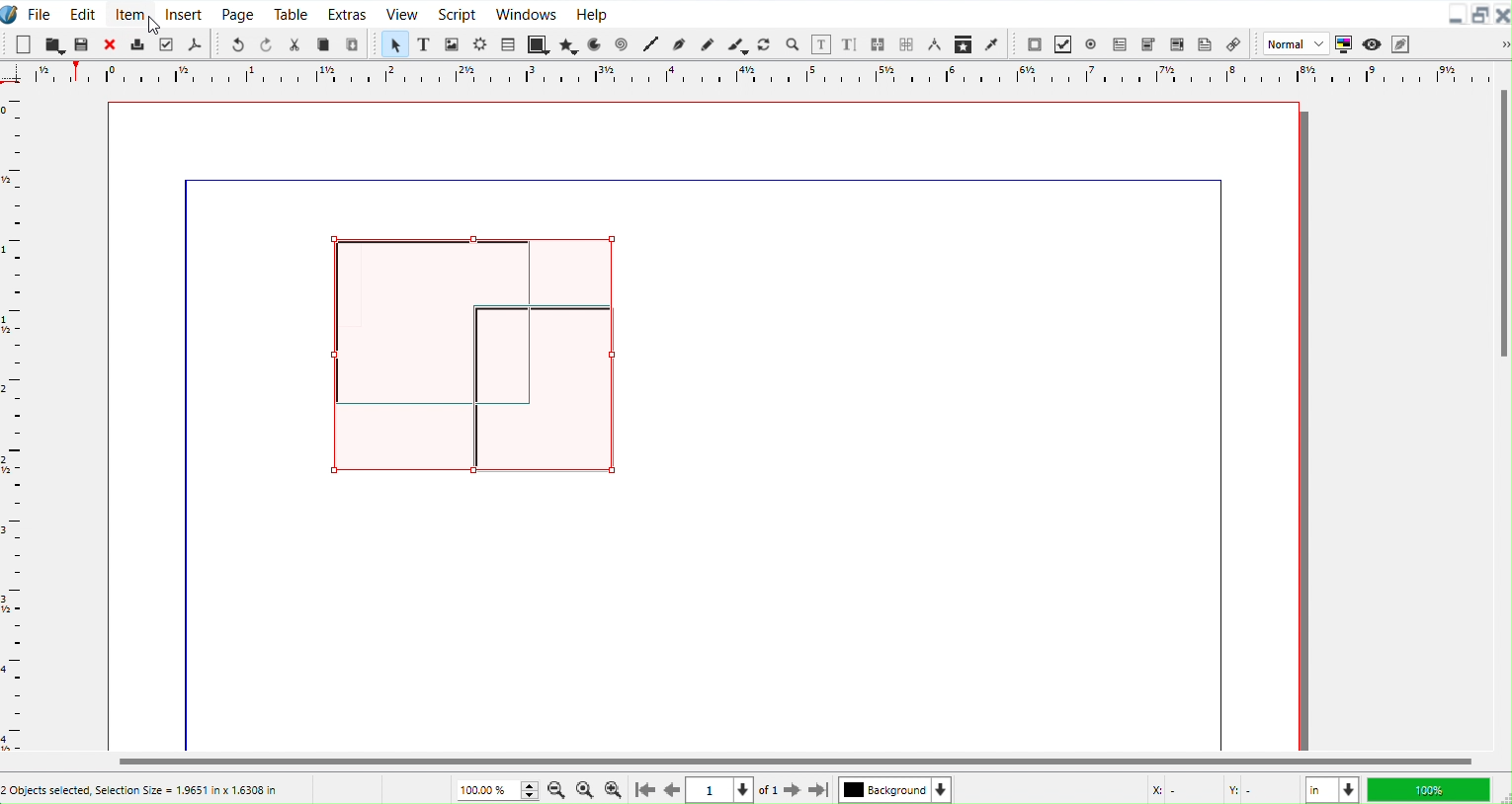 The width and height of the screenshot is (1512, 804). What do you see at coordinates (908, 45) in the screenshot?
I see `Unlink frame work` at bounding box center [908, 45].